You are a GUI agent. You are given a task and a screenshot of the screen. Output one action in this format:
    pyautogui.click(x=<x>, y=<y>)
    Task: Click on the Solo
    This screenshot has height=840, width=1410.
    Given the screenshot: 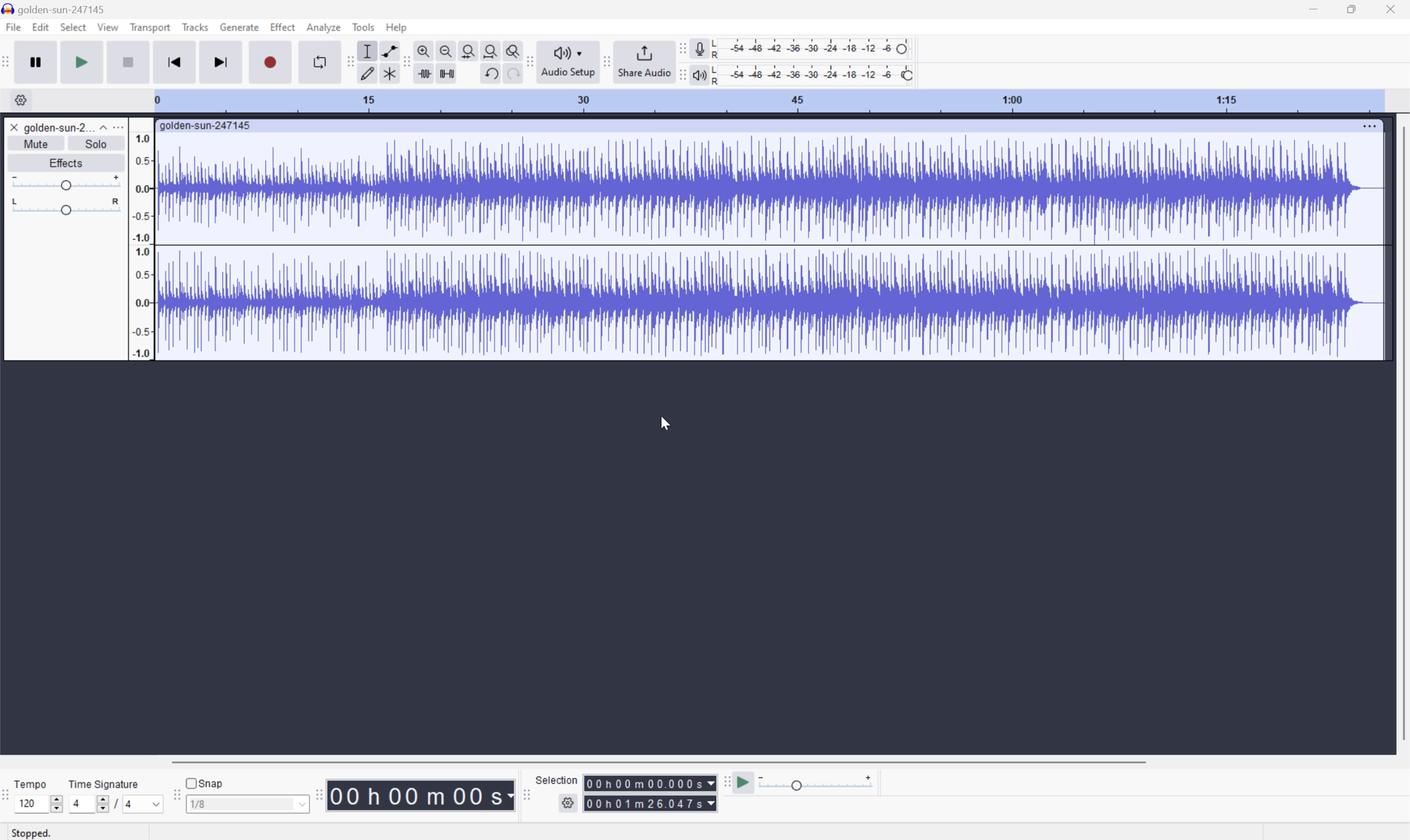 What is the action you would take?
    pyautogui.click(x=96, y=143)
    